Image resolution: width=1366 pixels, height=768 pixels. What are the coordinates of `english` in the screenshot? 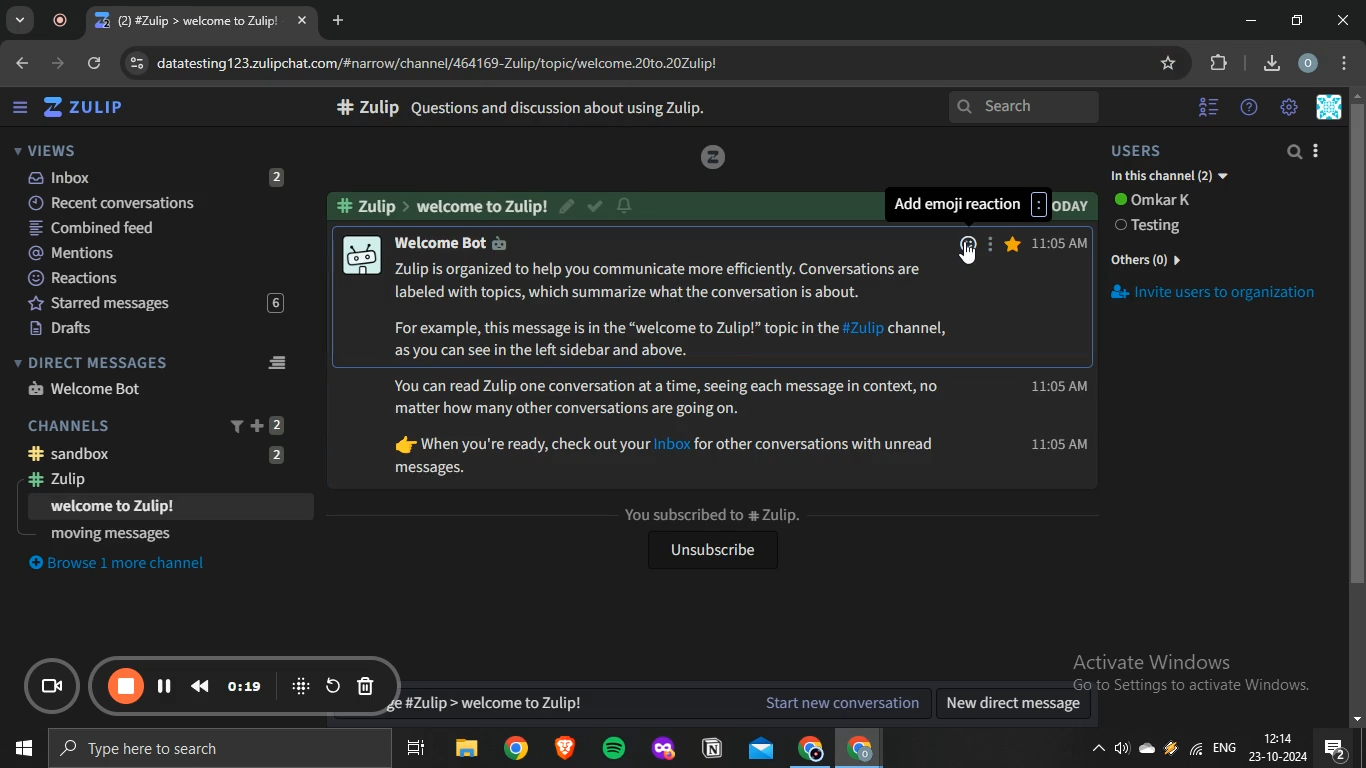 It's located at (1224, 750).